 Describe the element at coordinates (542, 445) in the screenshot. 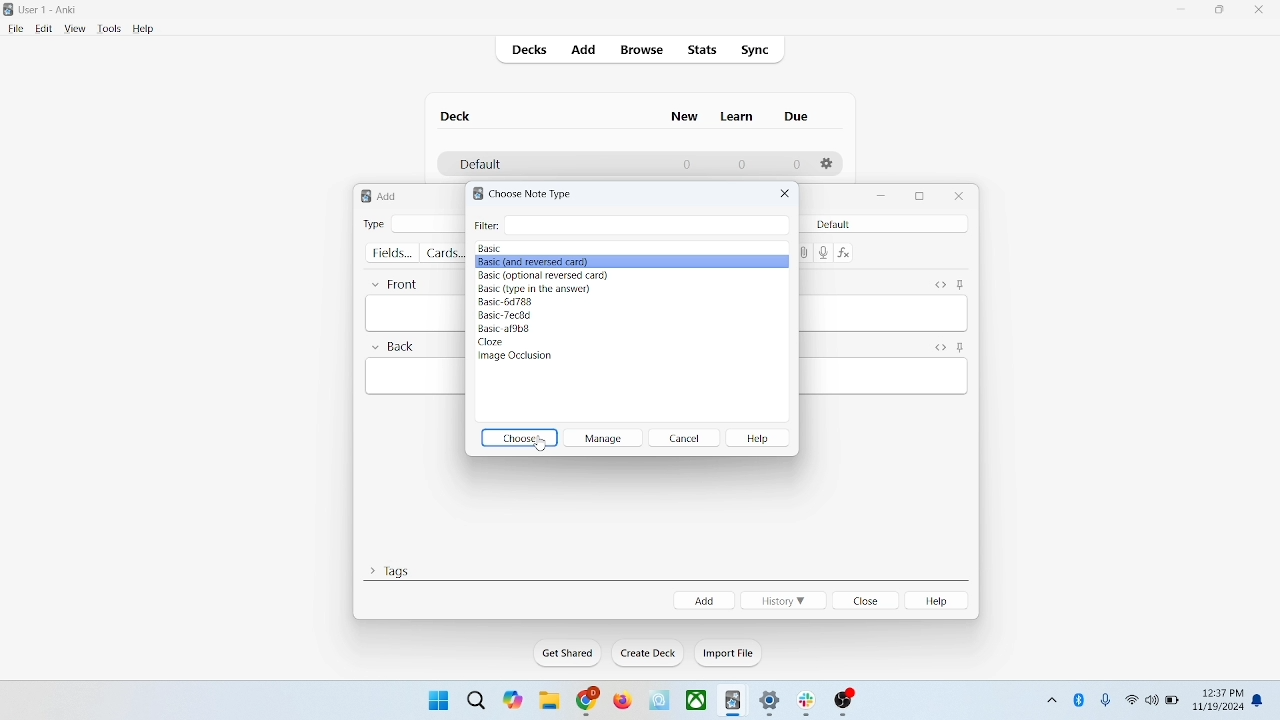

I see `cursor` at that location.